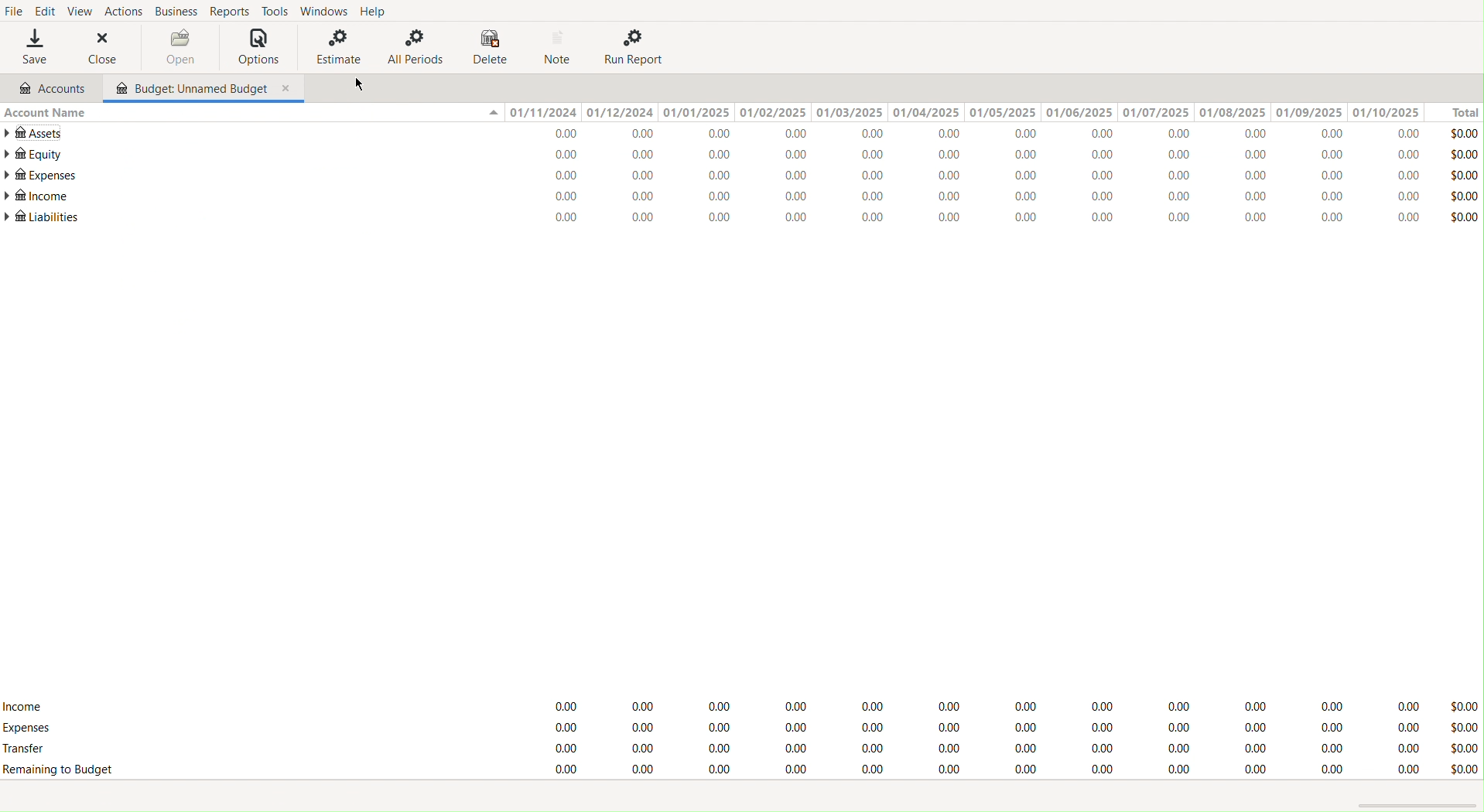 This screenshot has width=1484, height=812. I want to click on Equity, so click(33, 154).